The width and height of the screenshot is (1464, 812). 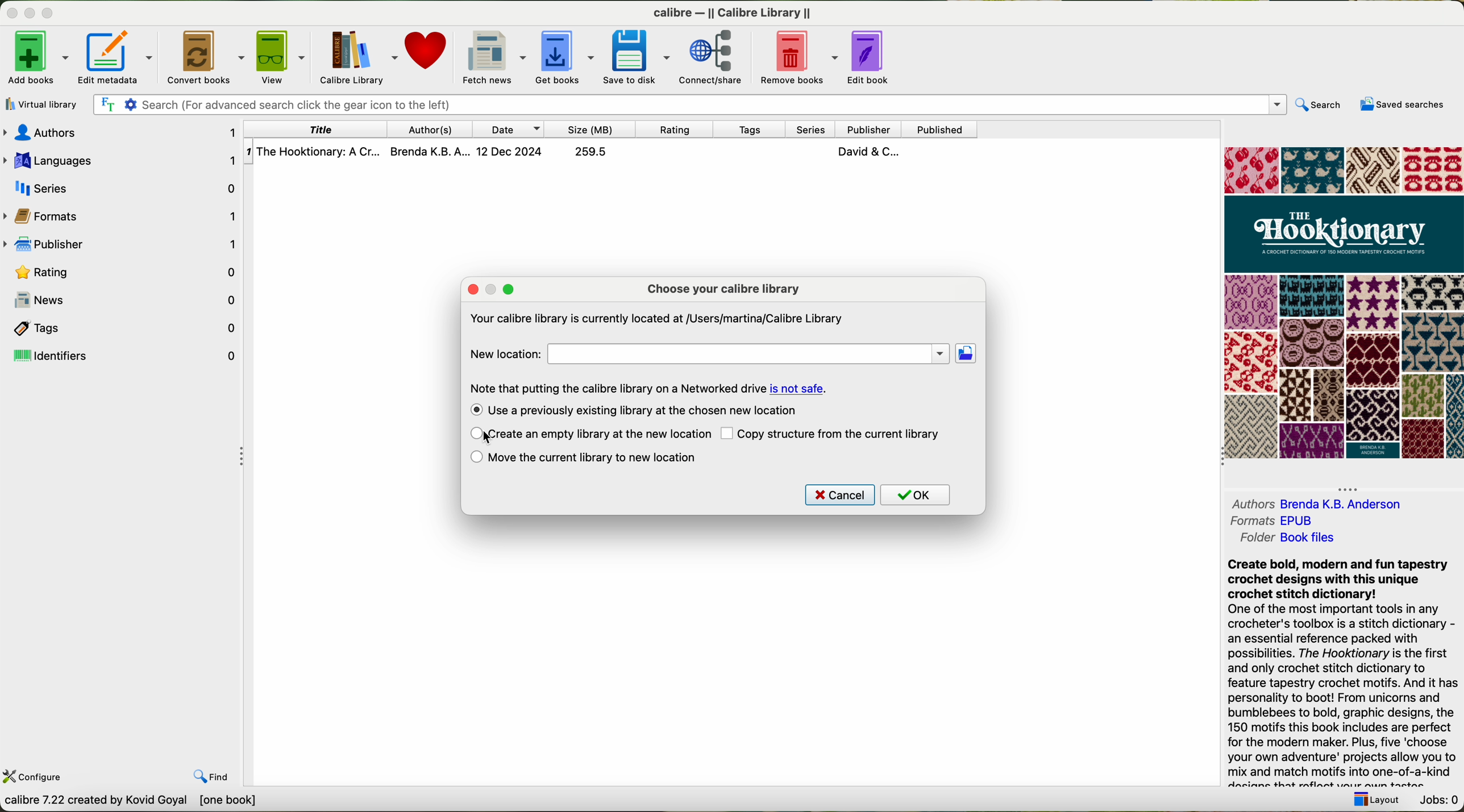 What do you see at coordinates (756, 129) in the screenshot?
I see `tags` at bounding box center [756, 129].